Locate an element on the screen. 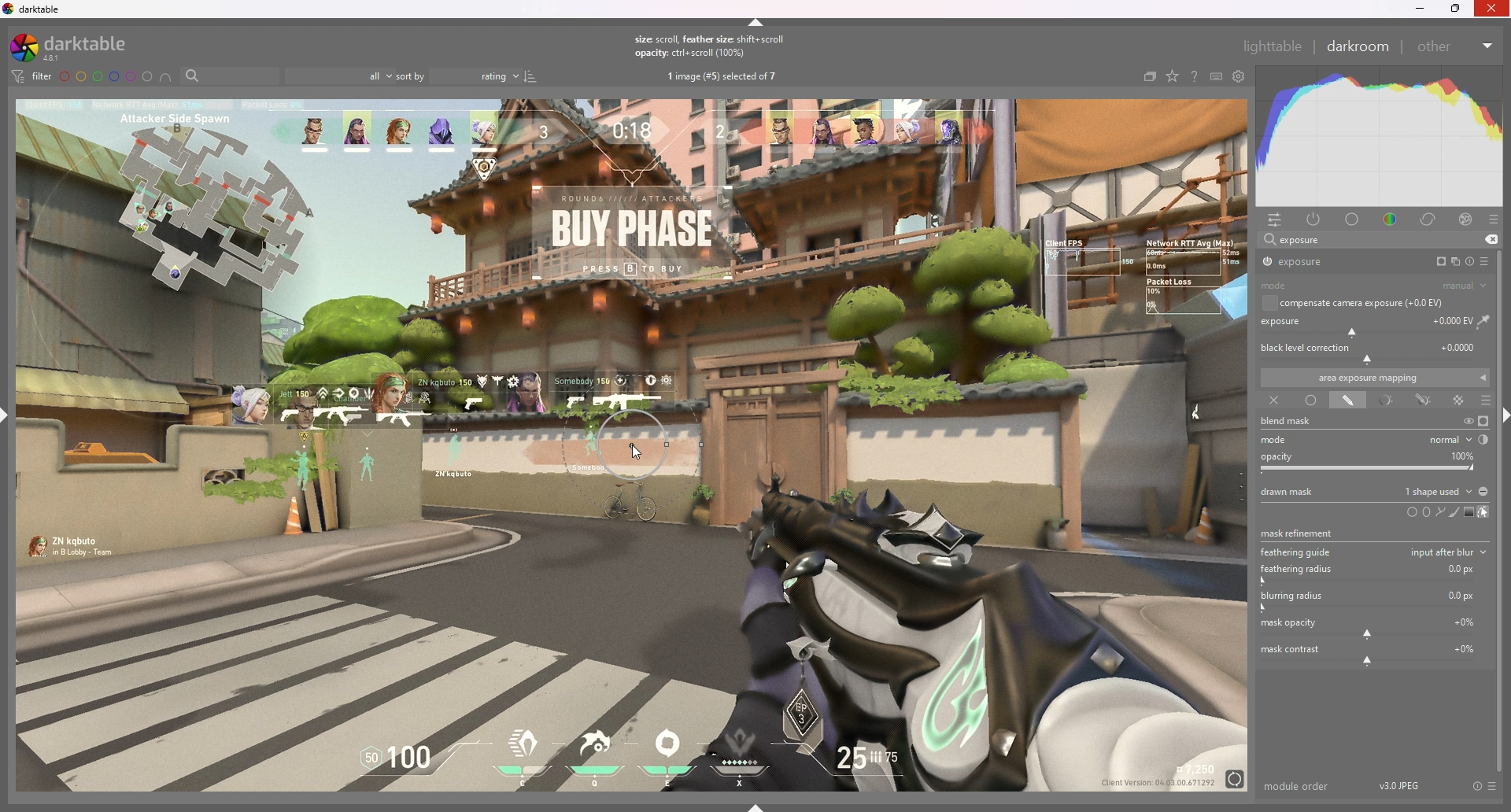  keyboars shortcut is located at coordinates (1215, 76).